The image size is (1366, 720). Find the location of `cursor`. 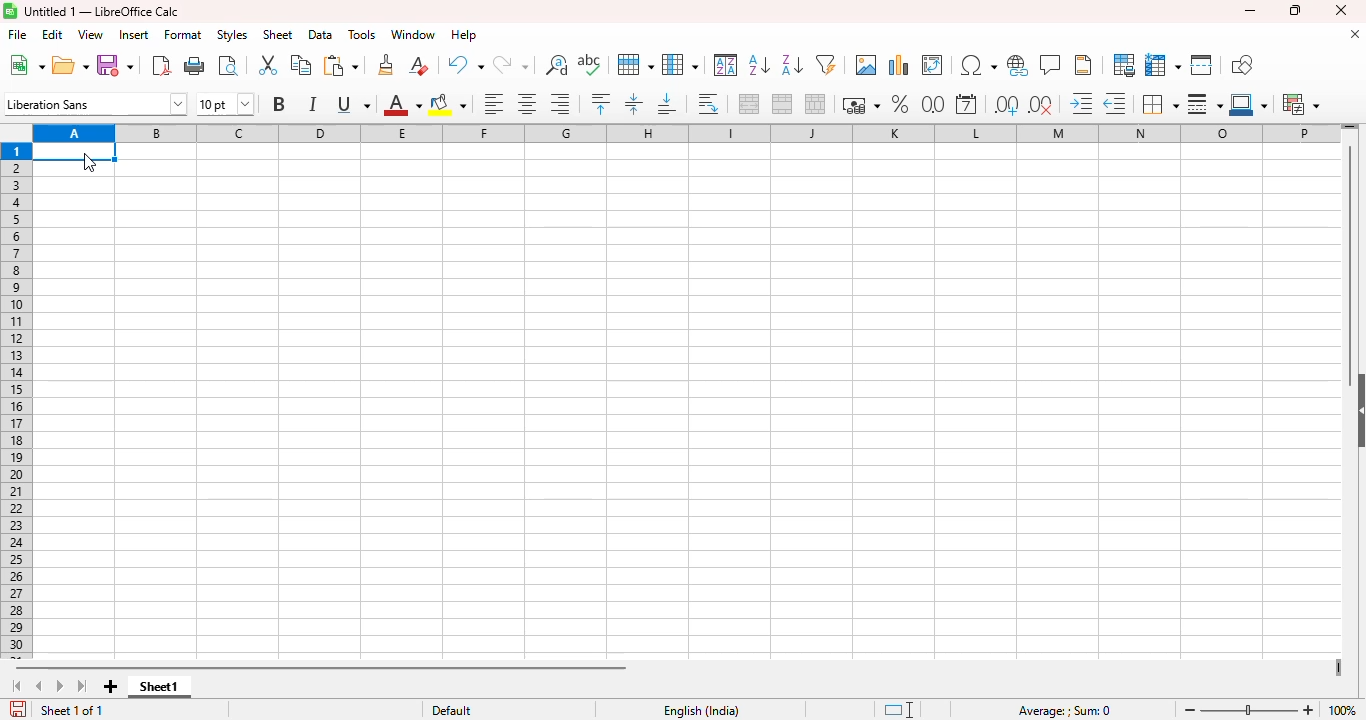

cursor is located at coordinates (90, 163).